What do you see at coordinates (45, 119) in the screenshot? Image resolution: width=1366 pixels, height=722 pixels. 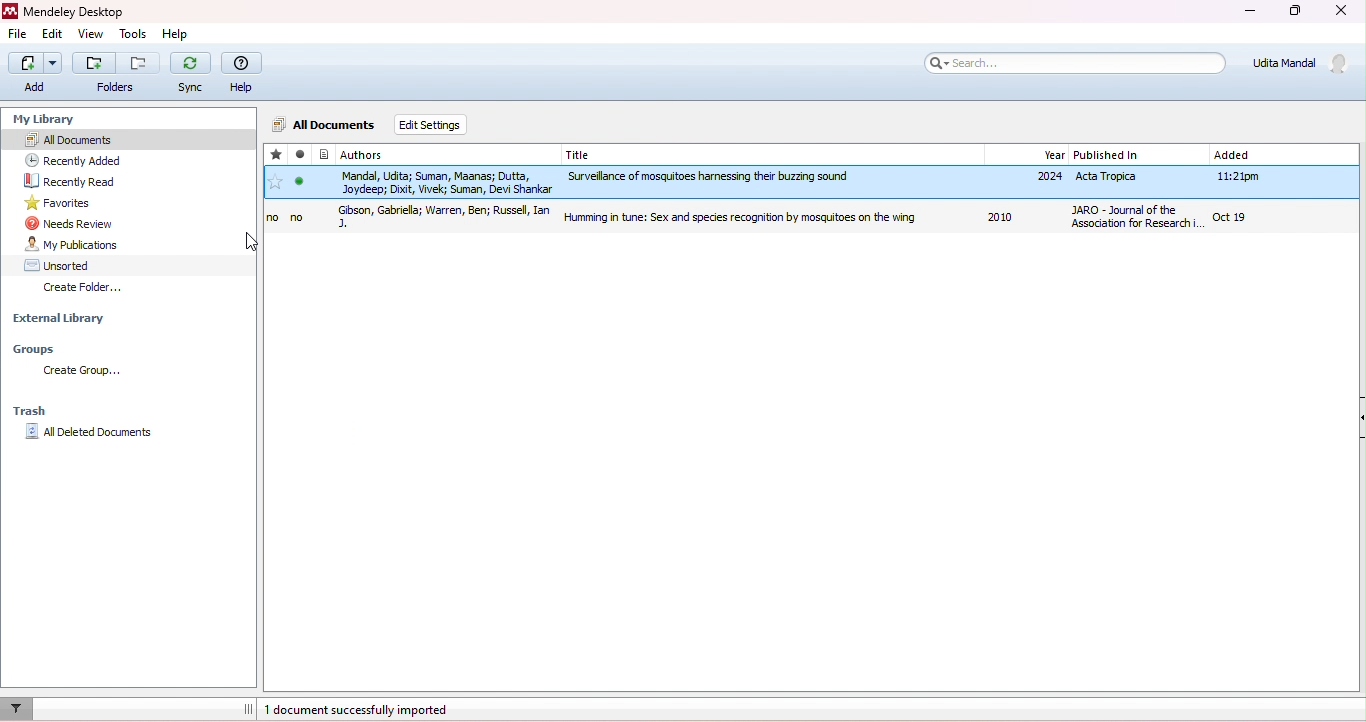 I see `my library` at bounding box center [45, 119].